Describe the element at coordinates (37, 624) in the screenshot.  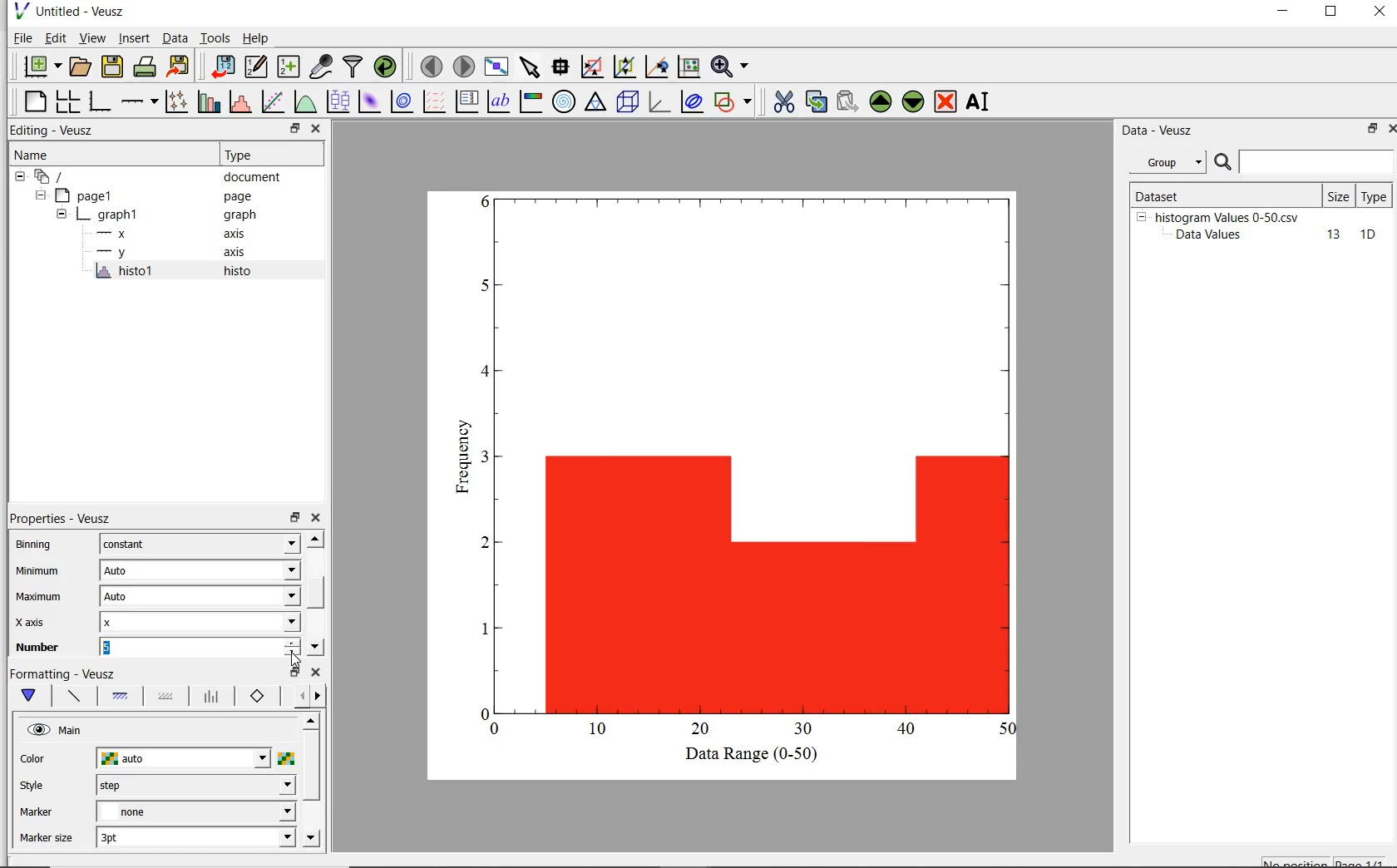
I see `X axis` at that location.